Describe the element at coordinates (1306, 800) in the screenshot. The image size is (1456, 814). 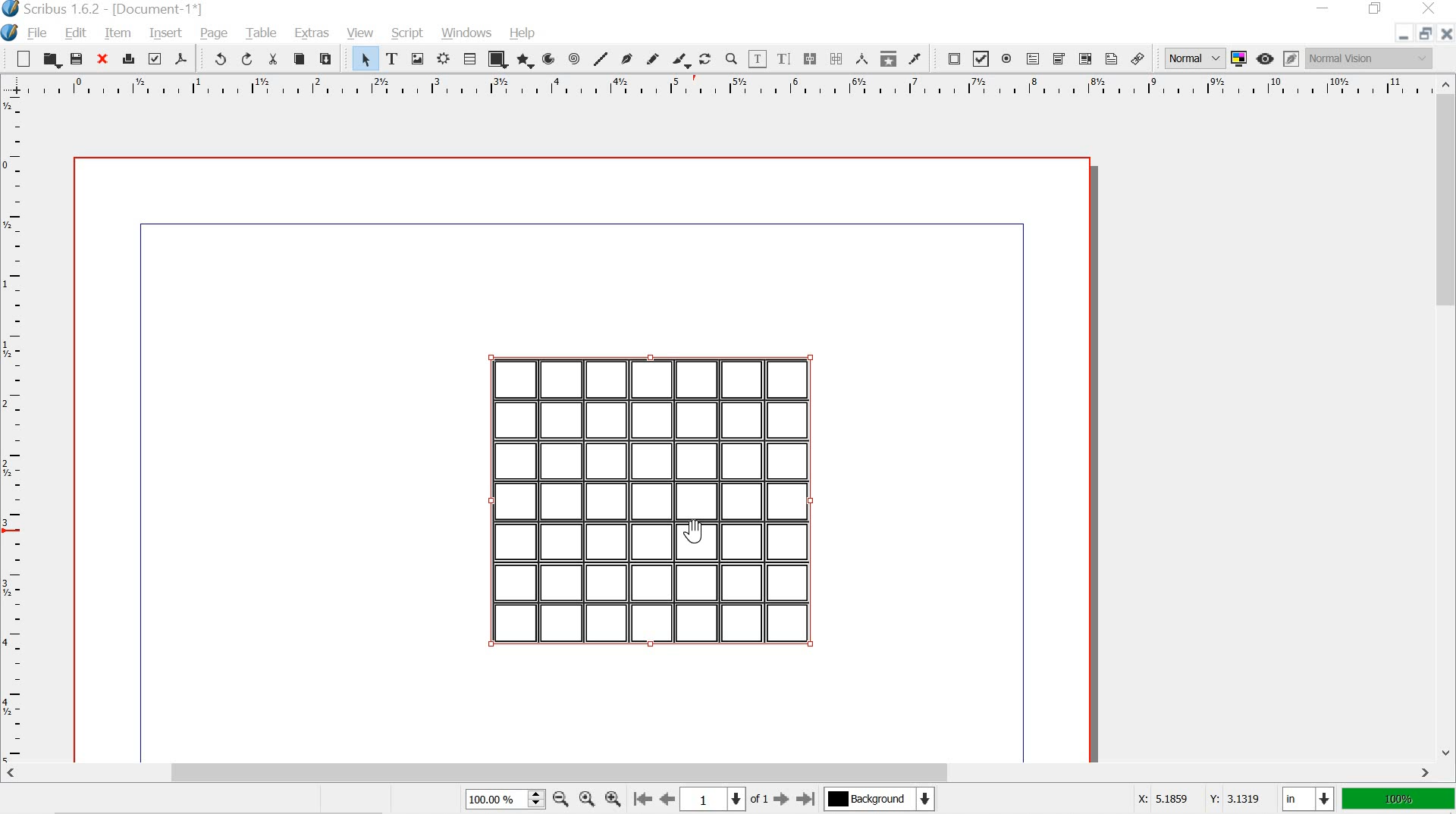
I see `in` at that location.